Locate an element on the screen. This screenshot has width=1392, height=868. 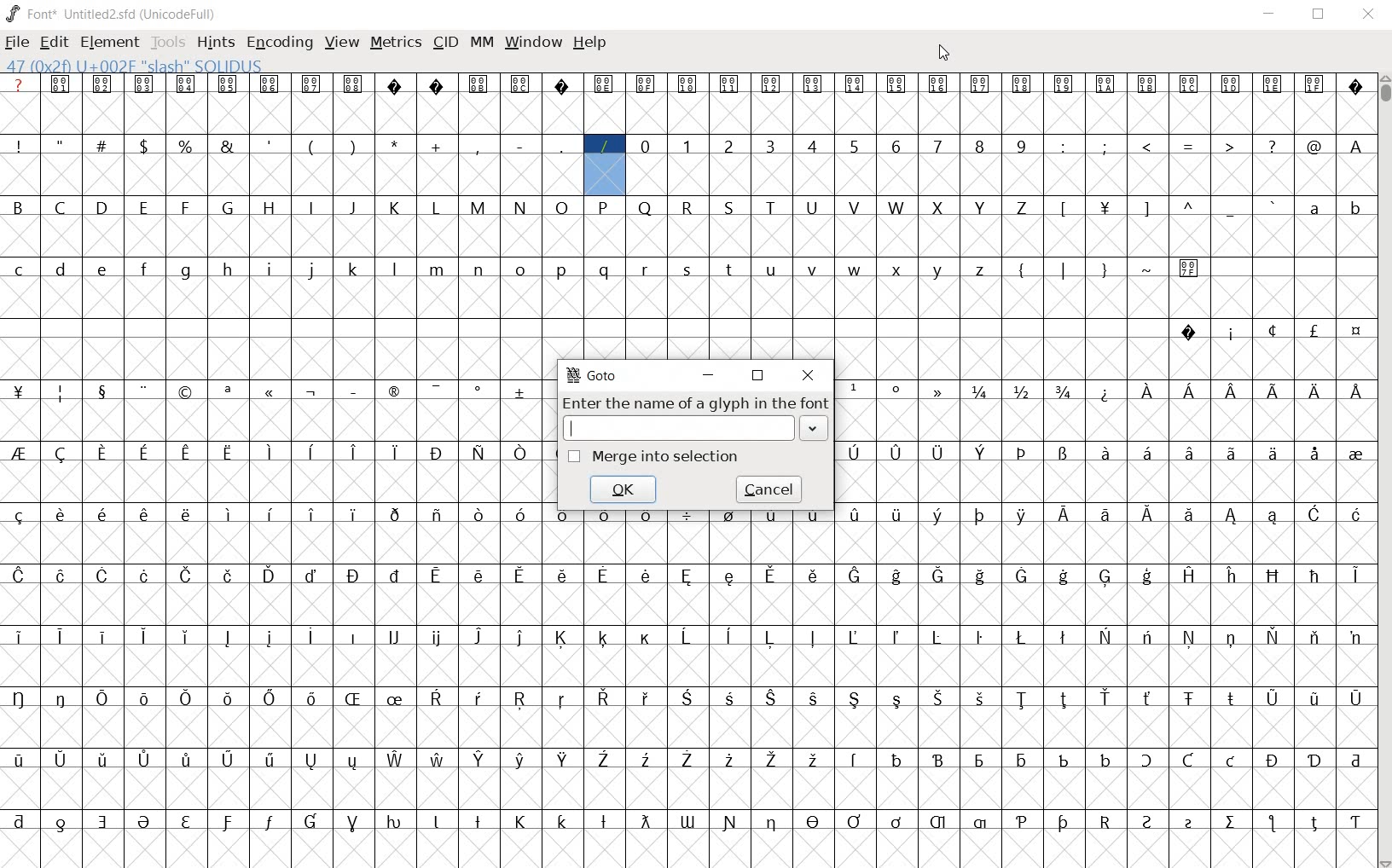
glyph is located at coordinates (728, 636).